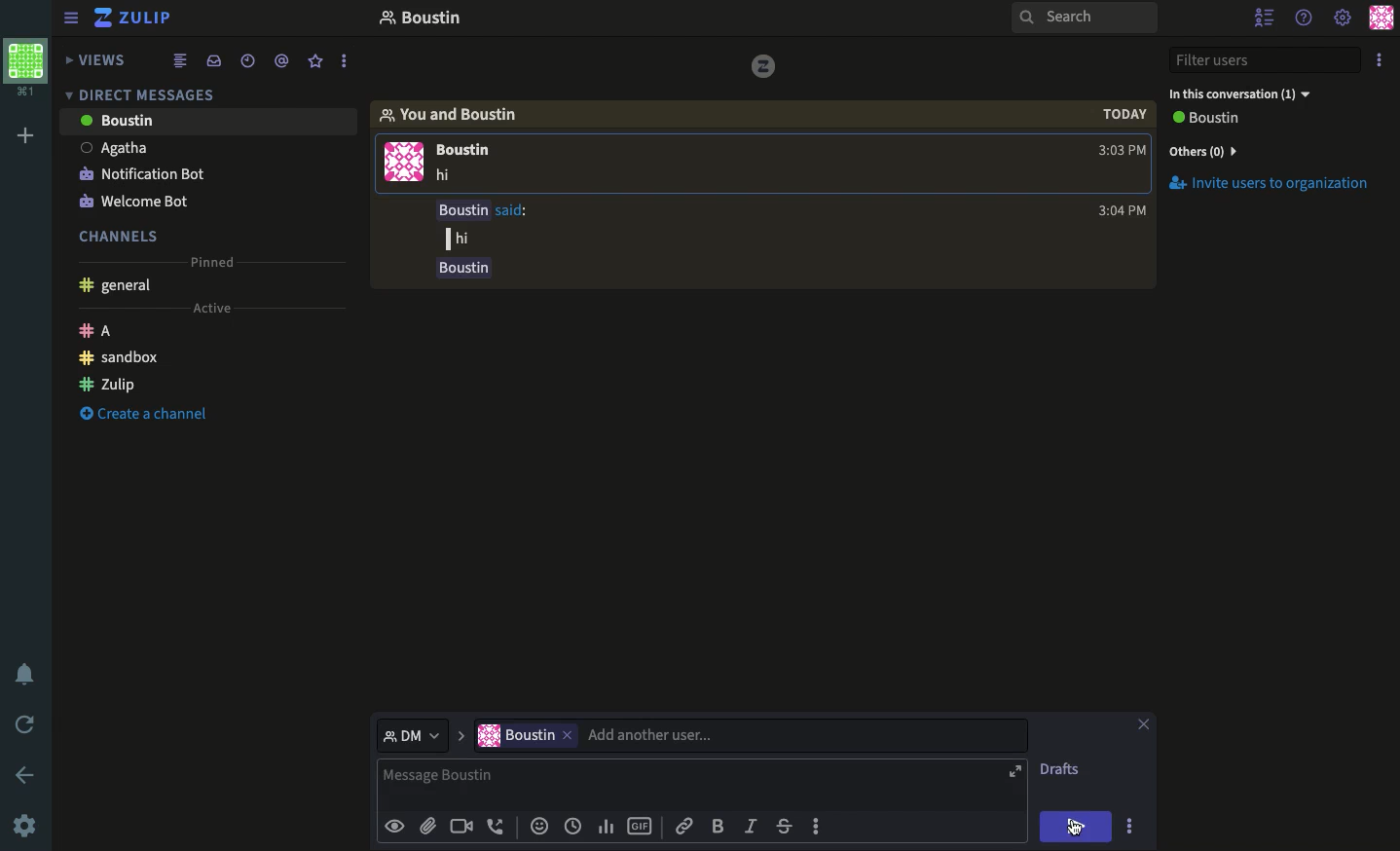  I want to click on Attachment, so click(427, 827).